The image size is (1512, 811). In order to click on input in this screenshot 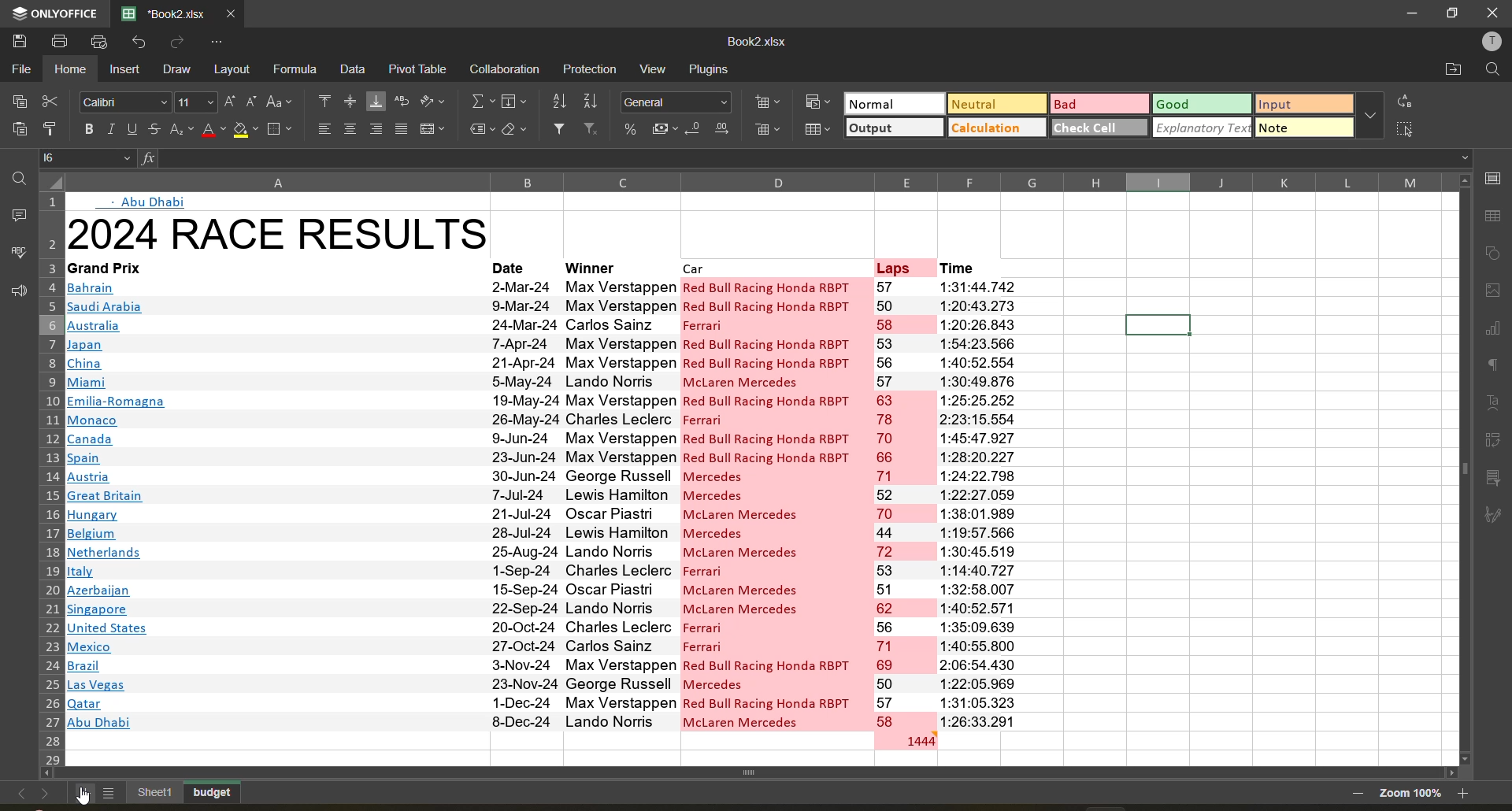, I will do `click(1303, 105)`.